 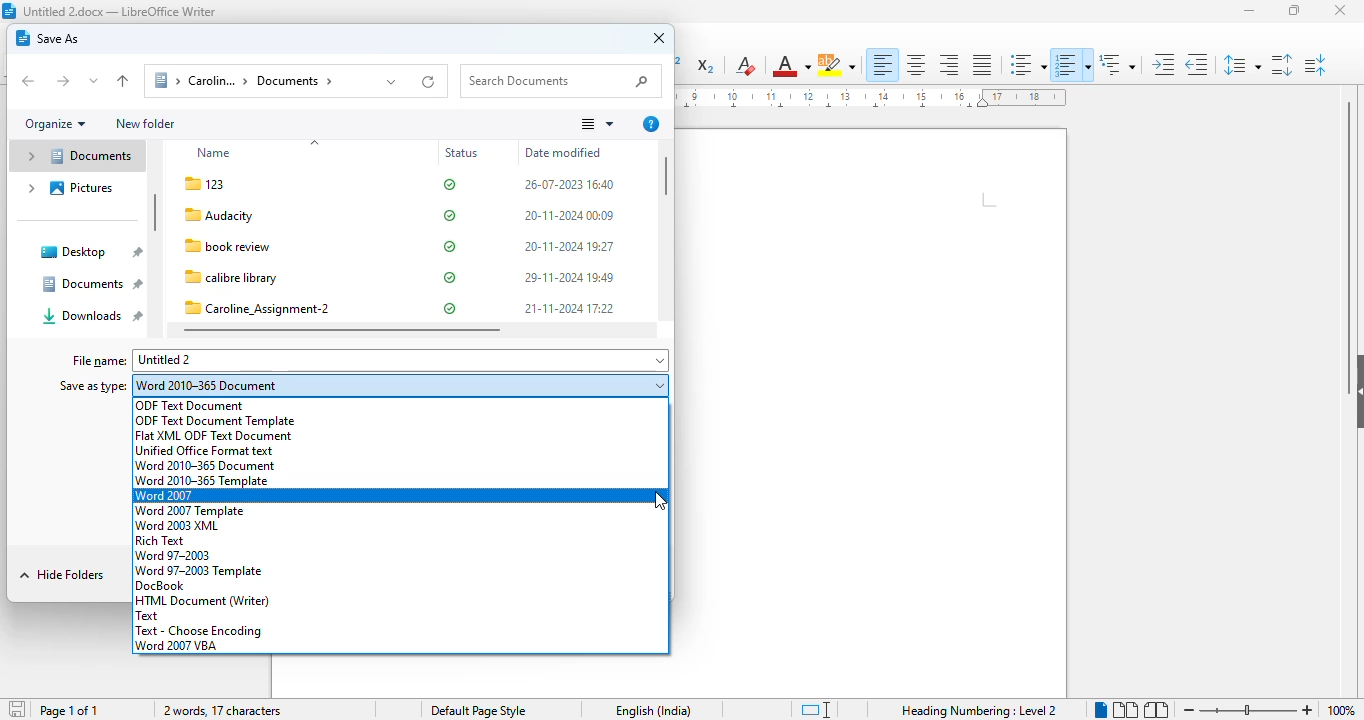 I want to click on page 1 of 1, so click(x=69, y=711).